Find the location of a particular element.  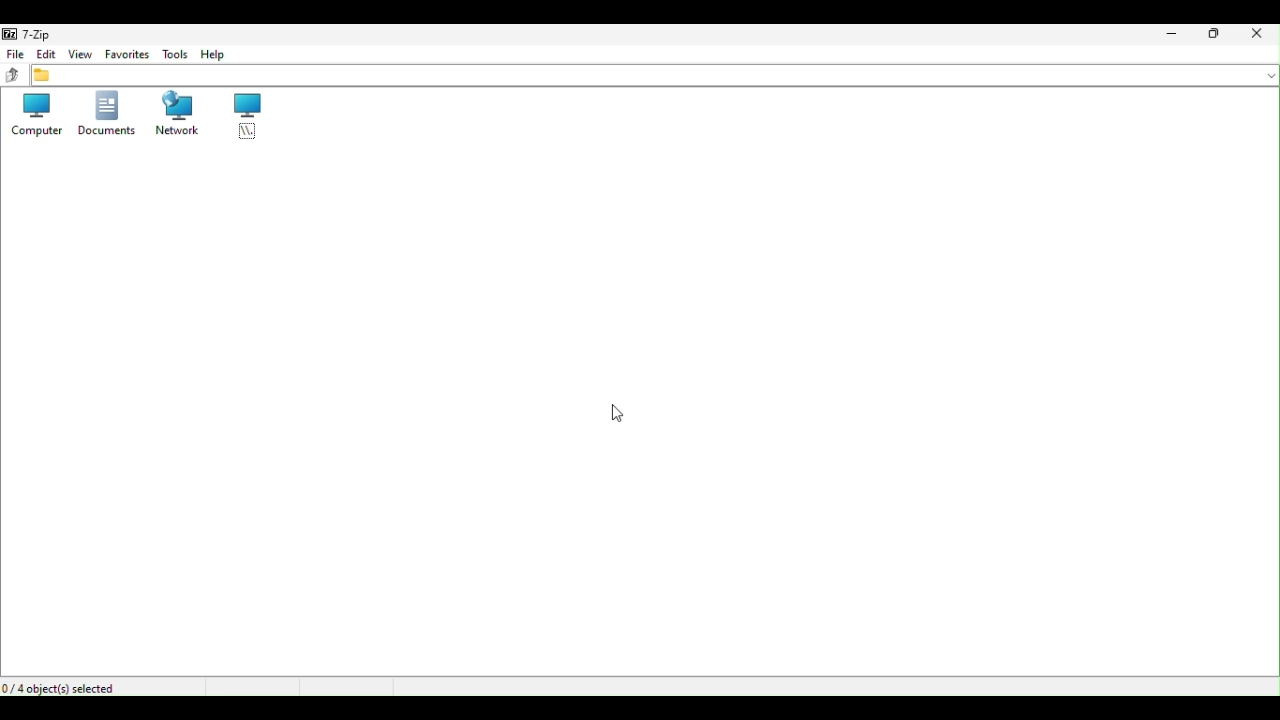

Edit is located at coordinates (46, 56).